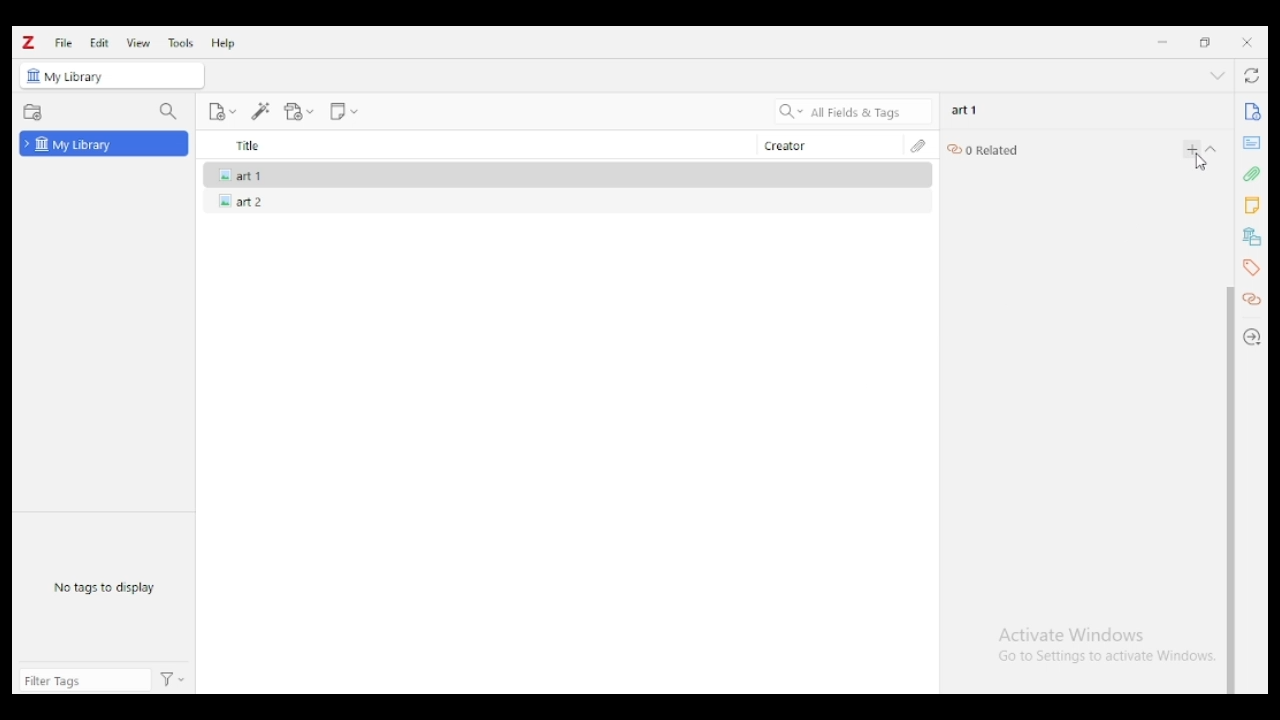 The height and width of the screenshot is (720, 1280). I want to click on search all fields & tags, so click(854, 111).